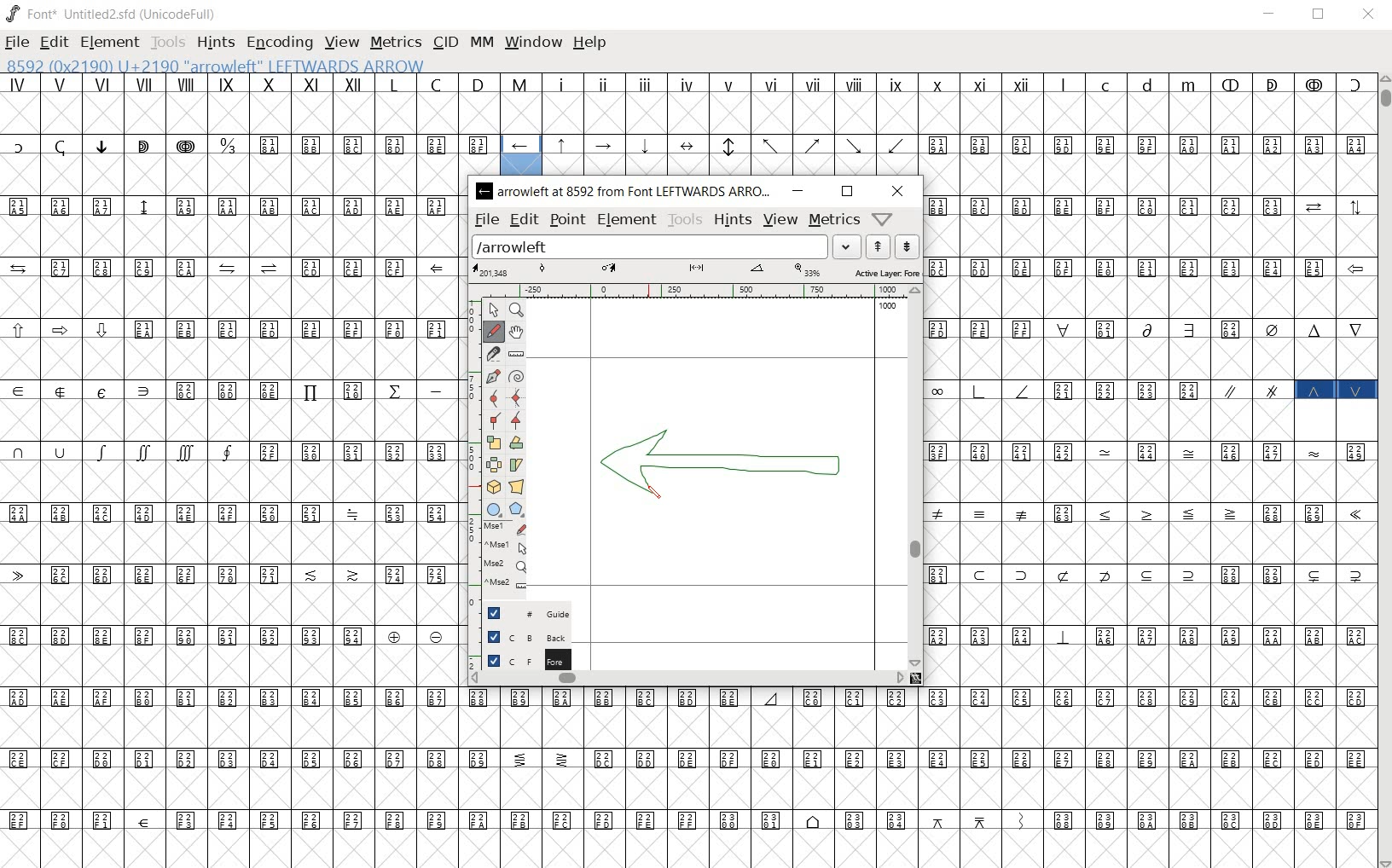  Describe the element at coordinates (110, 43) in the screenshot. I see `Element` at that location.